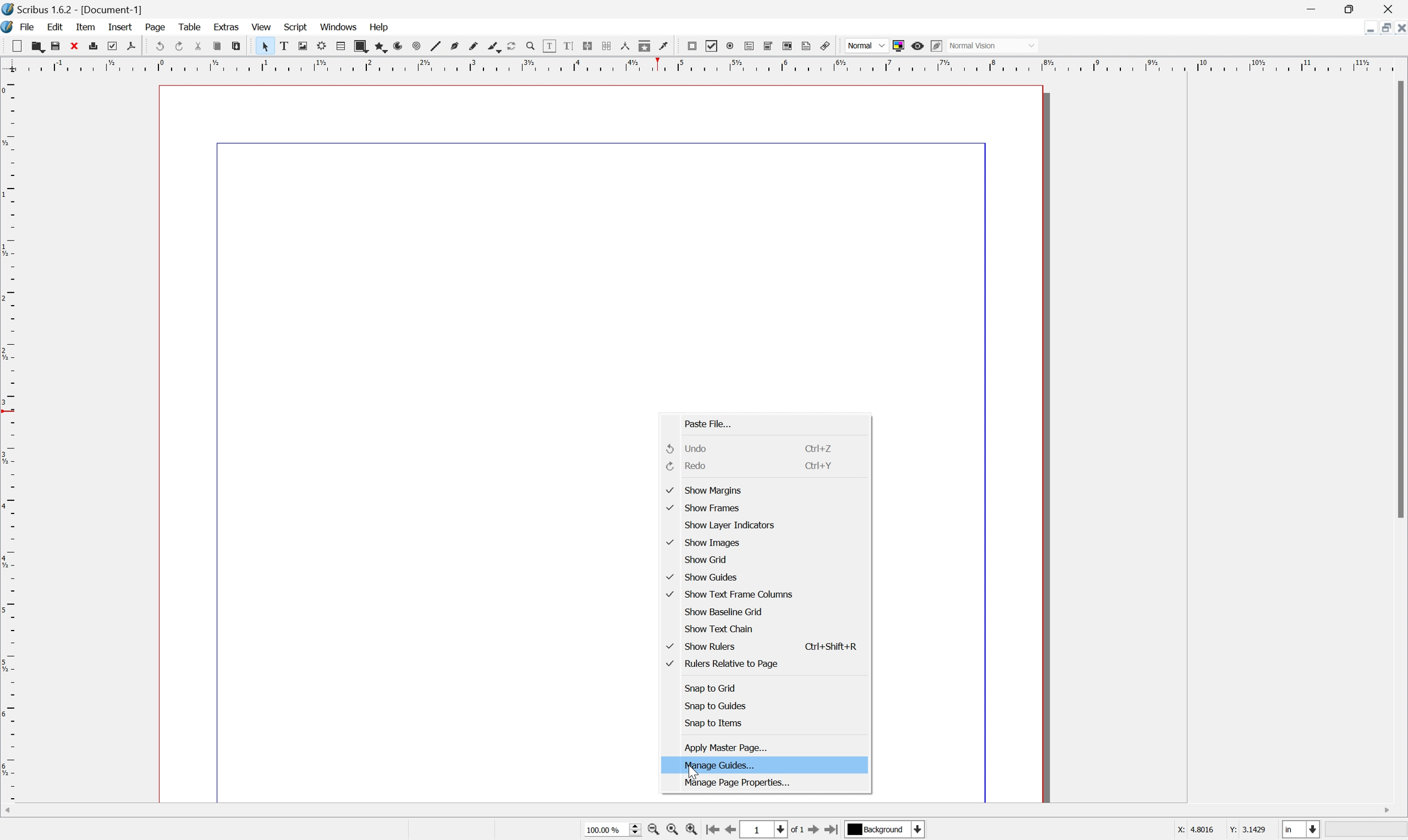 The height and width of the screenshot is (840, 1408). What do you see at coordinates (237, 46) in the screenshot?
I see `paste` at bounding box center [237, 46].